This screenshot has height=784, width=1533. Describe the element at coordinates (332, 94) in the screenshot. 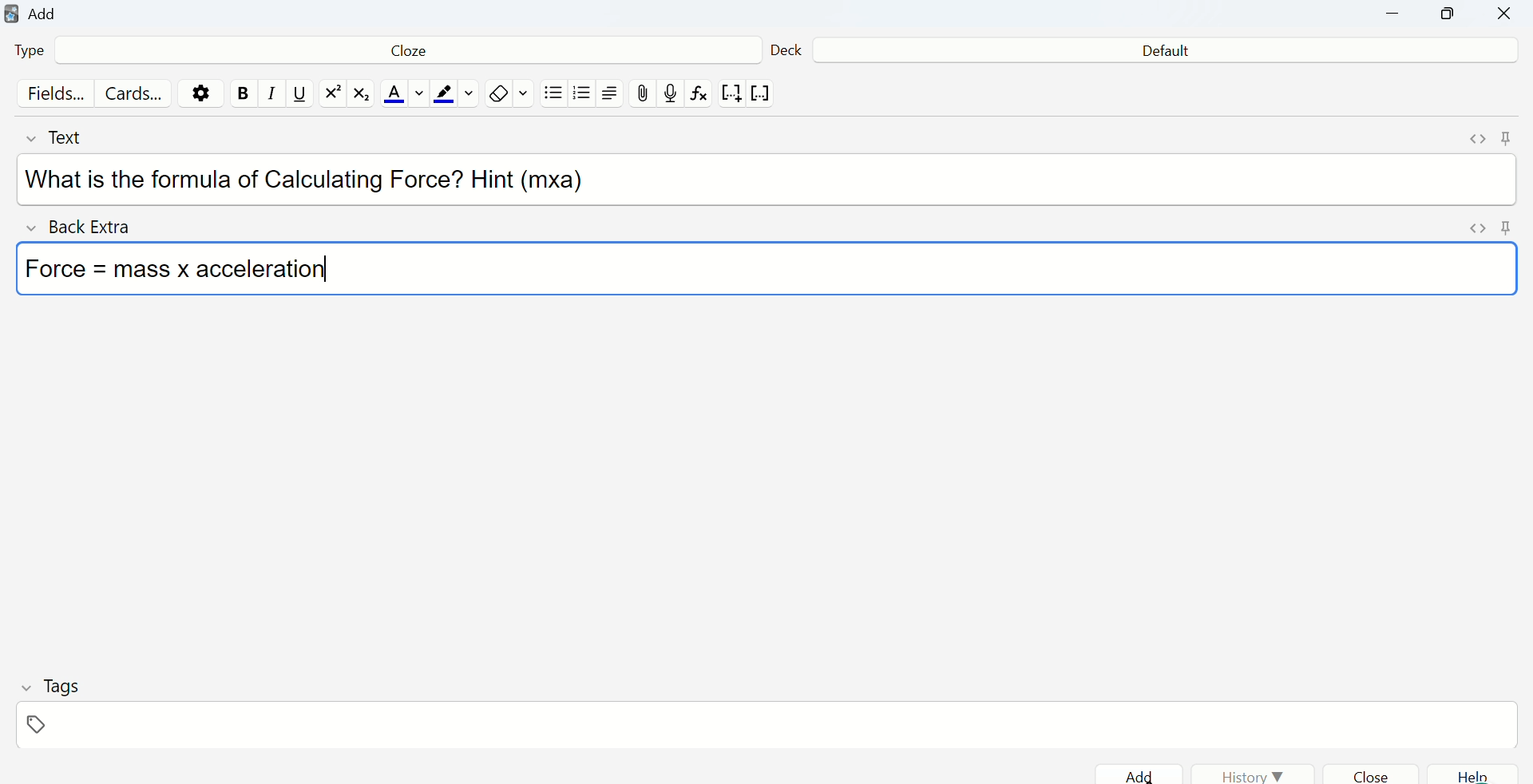

I see `exponential` at that location.